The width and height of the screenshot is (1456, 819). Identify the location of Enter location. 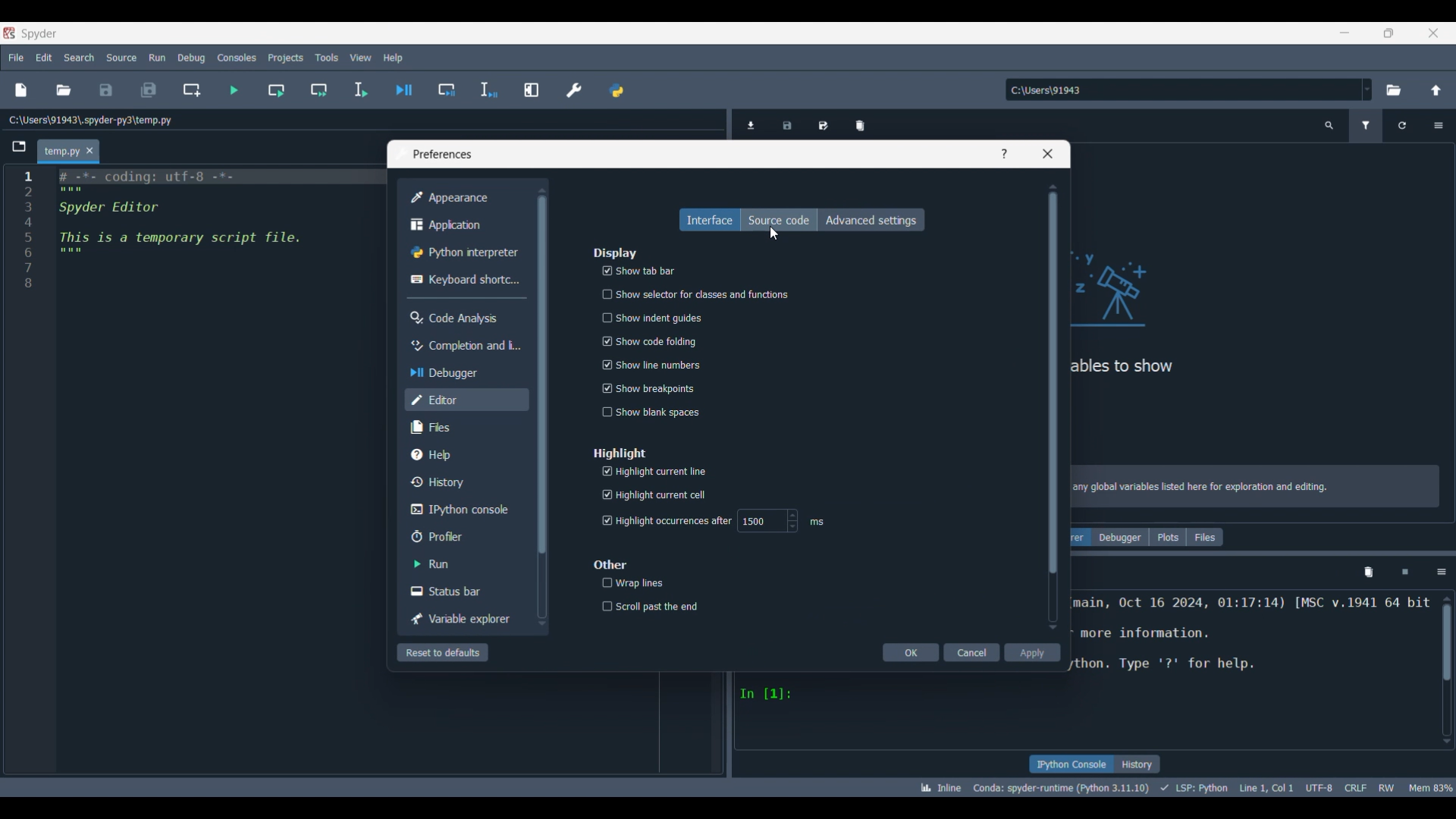
(1182, 89).